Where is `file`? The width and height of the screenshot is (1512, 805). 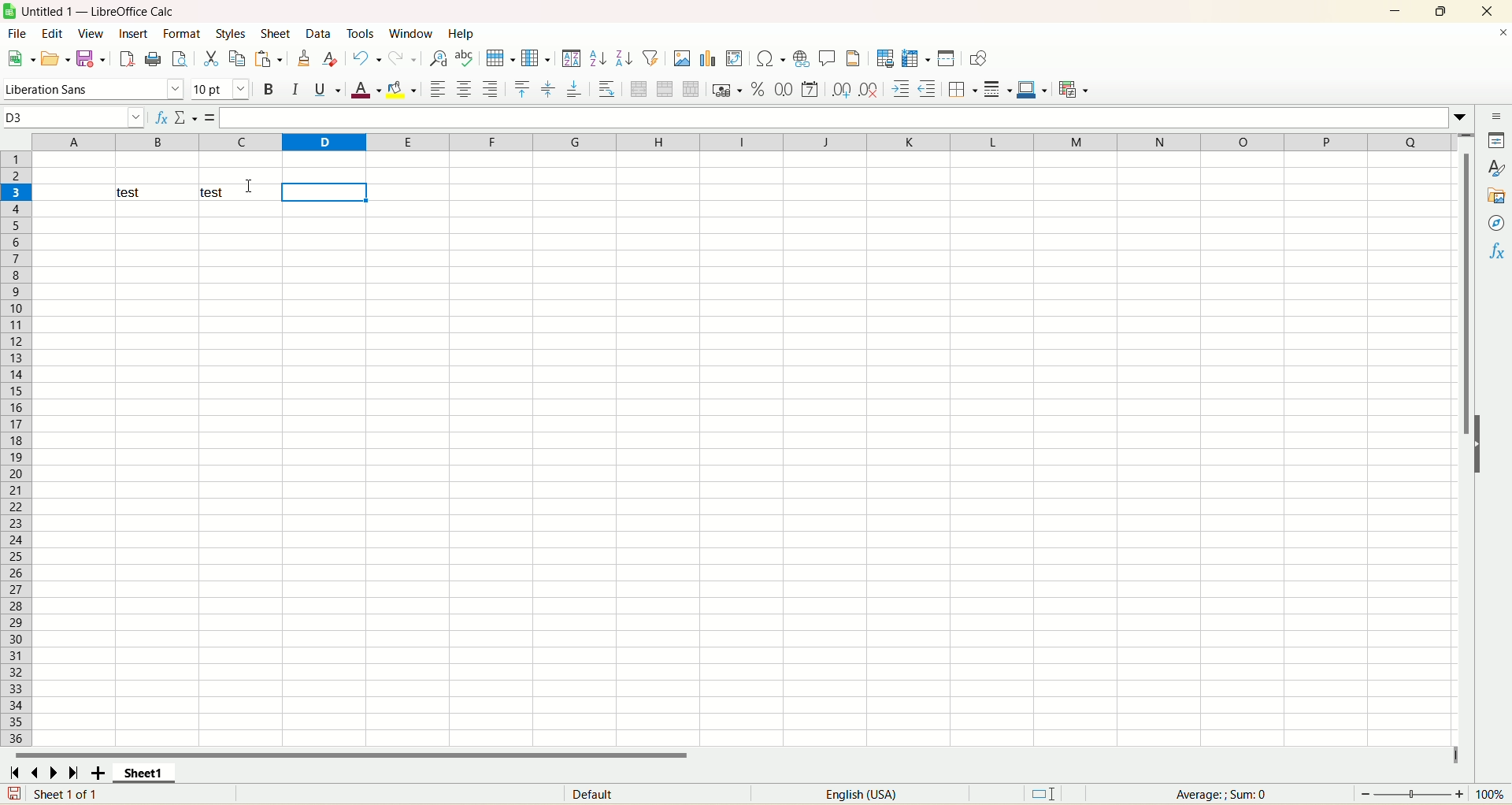
file is located at coordinates (17, 33).